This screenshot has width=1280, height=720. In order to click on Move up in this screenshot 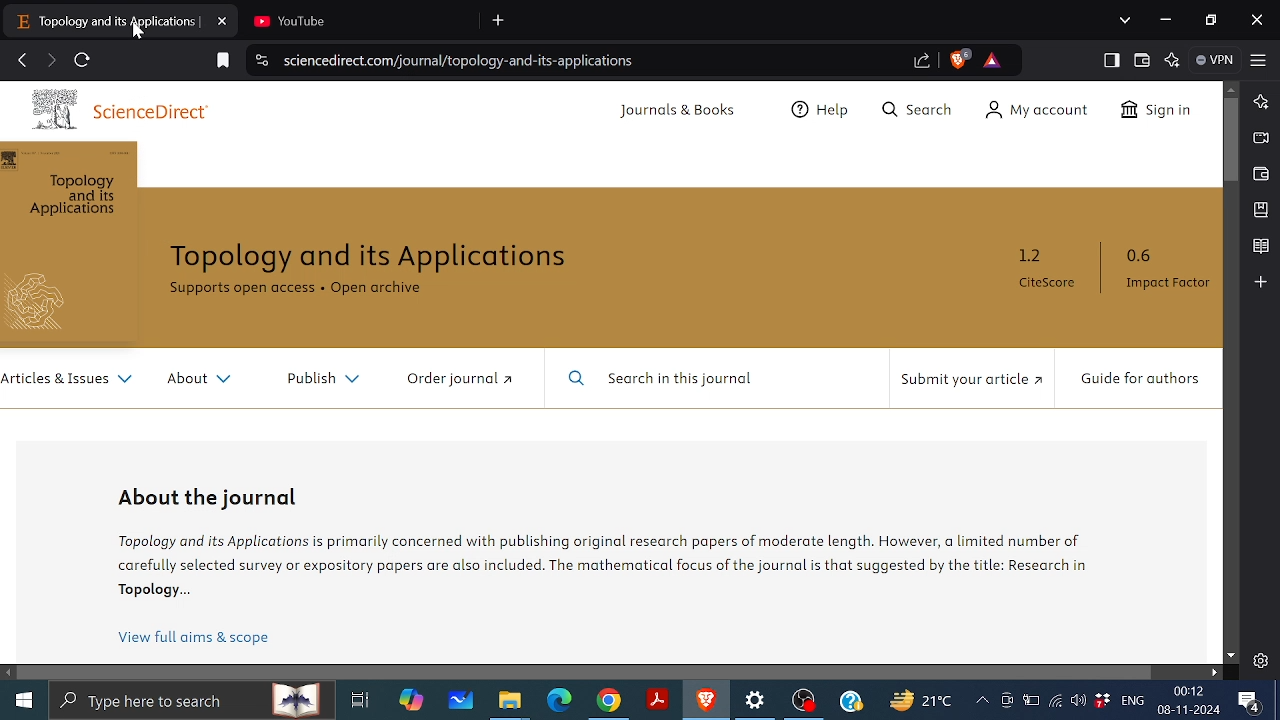, I will do `click(1231, 88)`.